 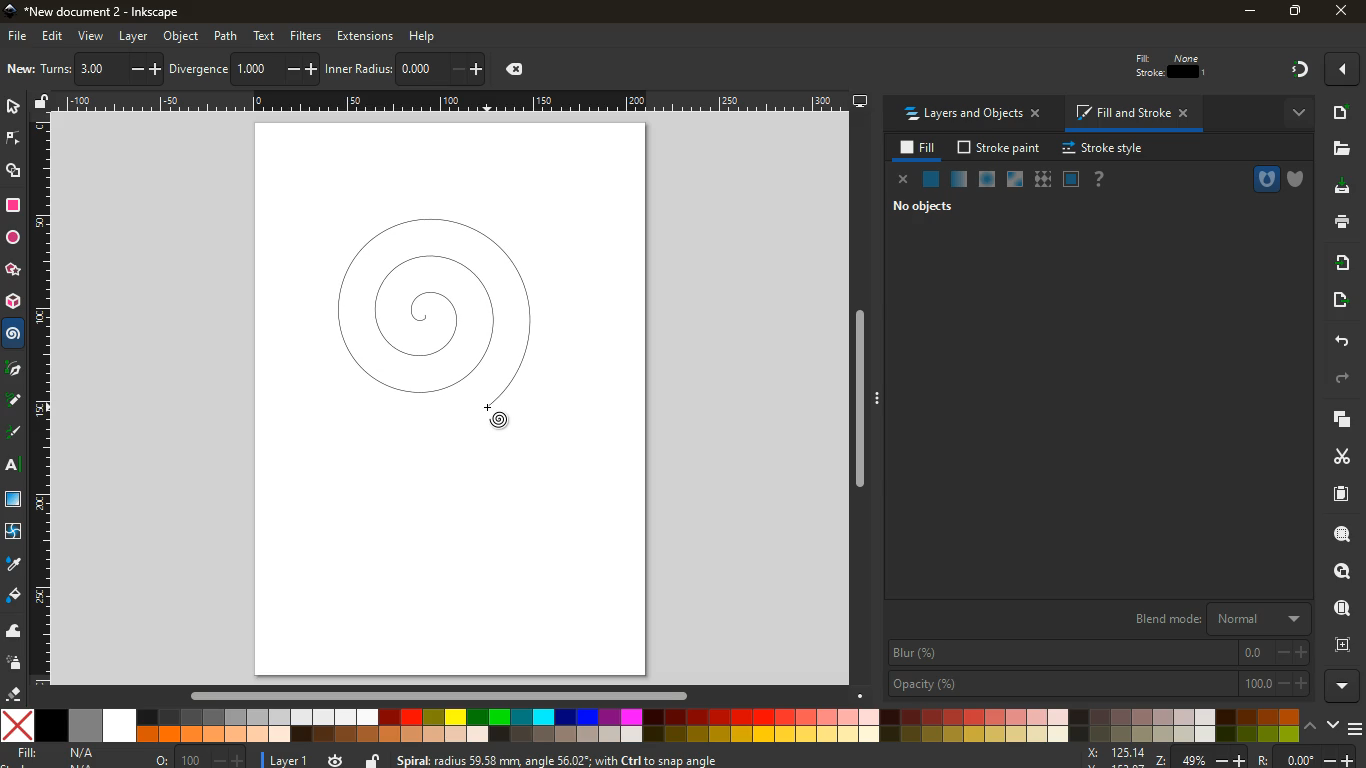 I want to click on help, so click(x=431, y=35).